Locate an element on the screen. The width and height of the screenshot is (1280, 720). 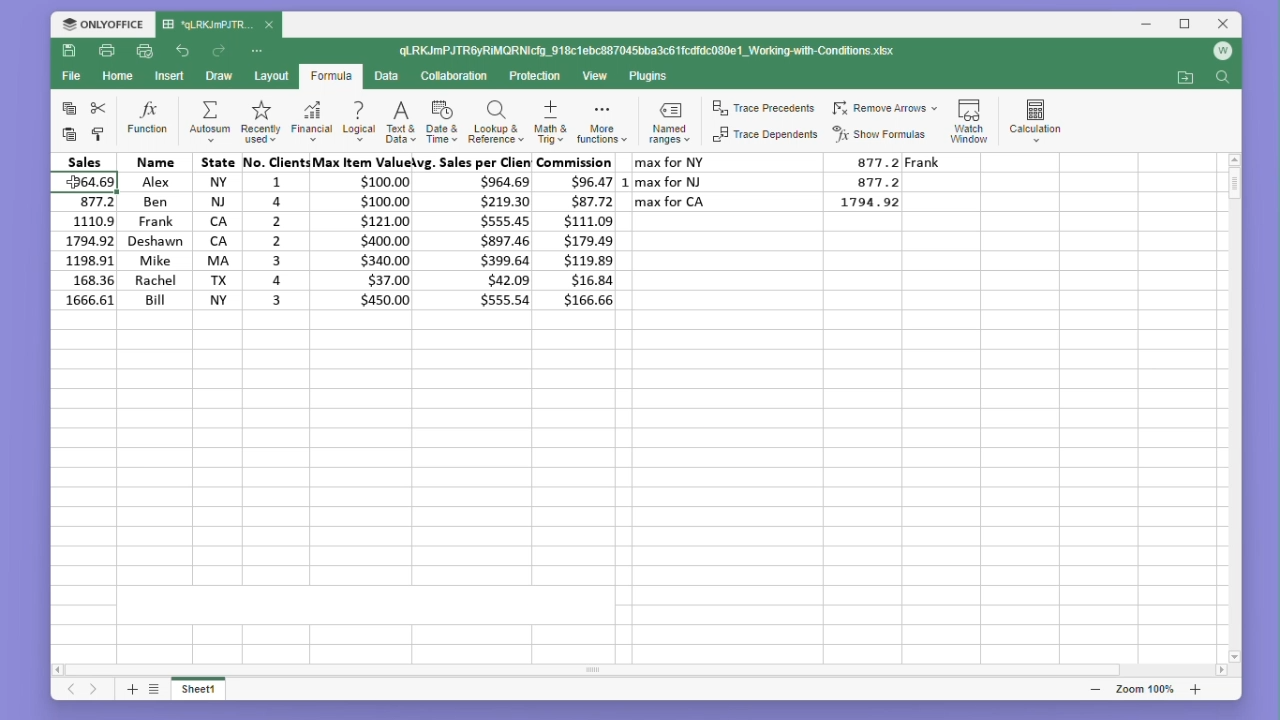
Text and data is located at coordinates (399, 119).